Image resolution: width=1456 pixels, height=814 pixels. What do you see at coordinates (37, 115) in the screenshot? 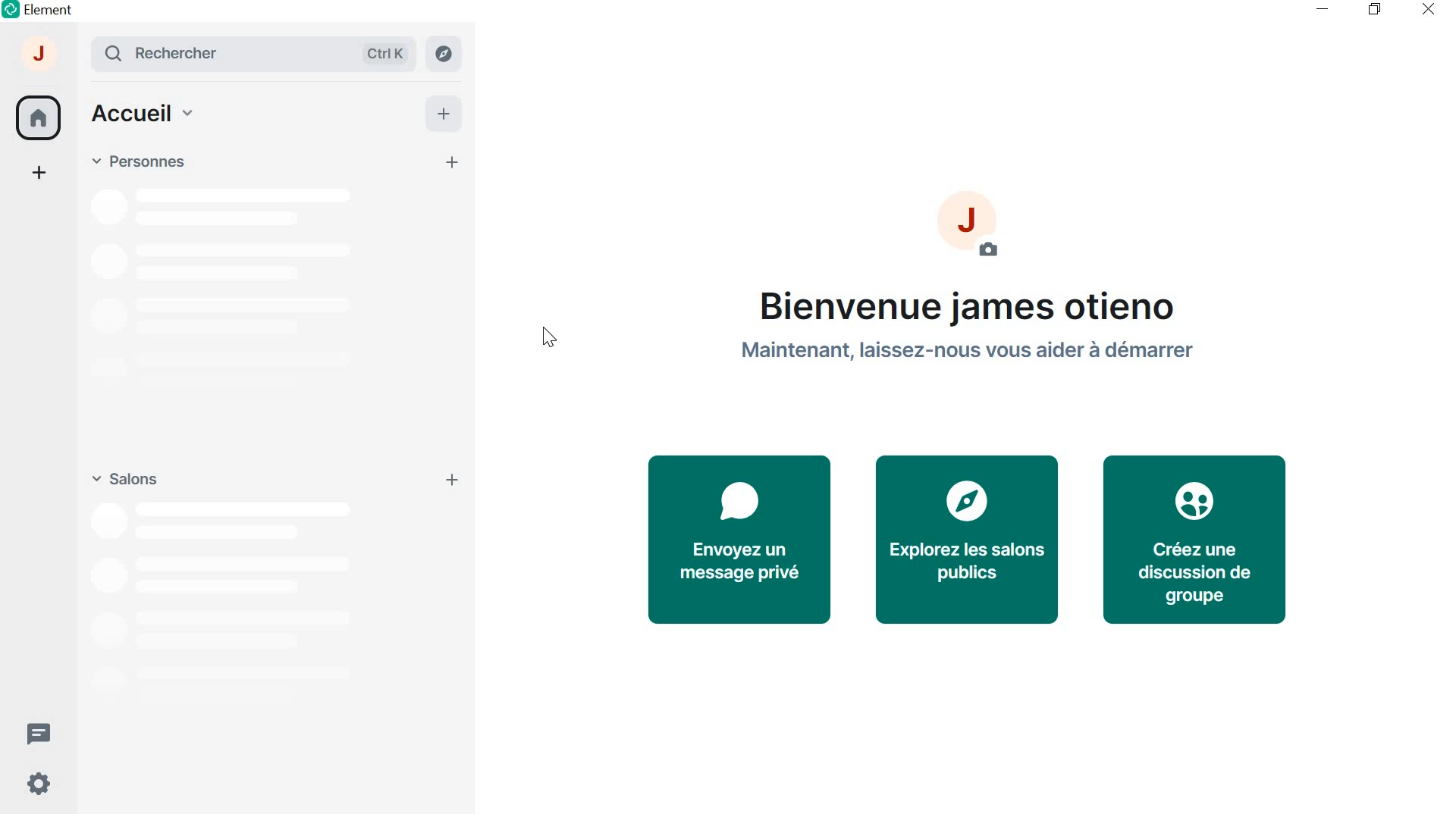
I see `HOME` at bounding box center [37, 115].